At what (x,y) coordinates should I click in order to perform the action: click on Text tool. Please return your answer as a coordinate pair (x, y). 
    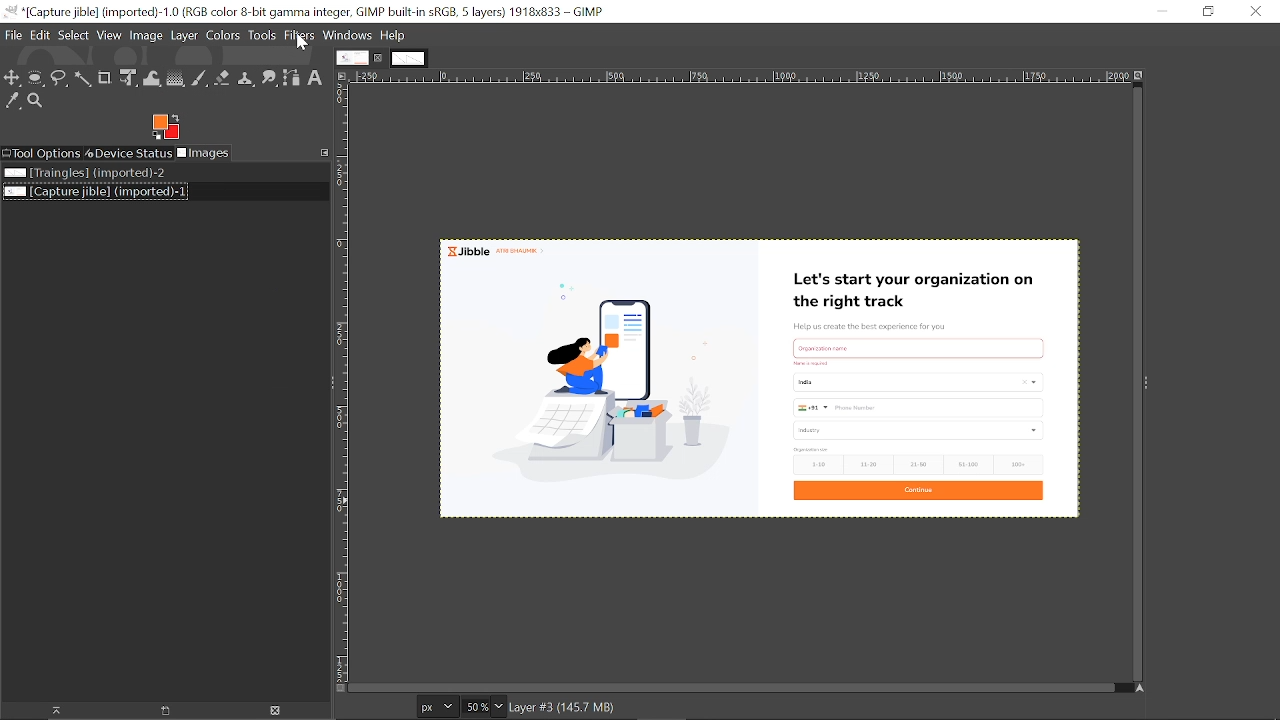
    Looking at the image, I should click on (316, 79).